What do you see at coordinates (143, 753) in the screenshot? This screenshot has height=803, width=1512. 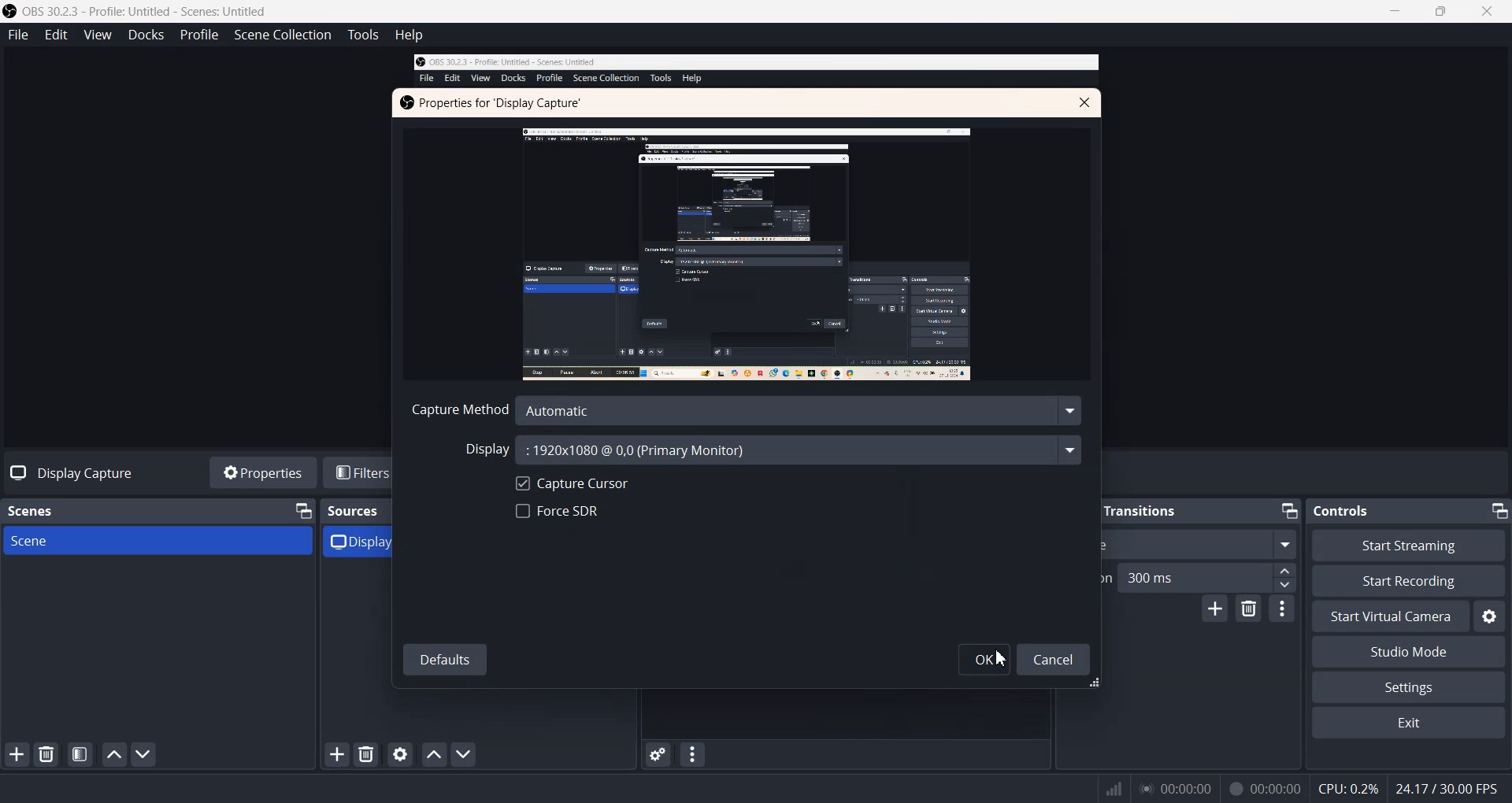 I see `Move Scene Down` at bounding box center [143, 753].